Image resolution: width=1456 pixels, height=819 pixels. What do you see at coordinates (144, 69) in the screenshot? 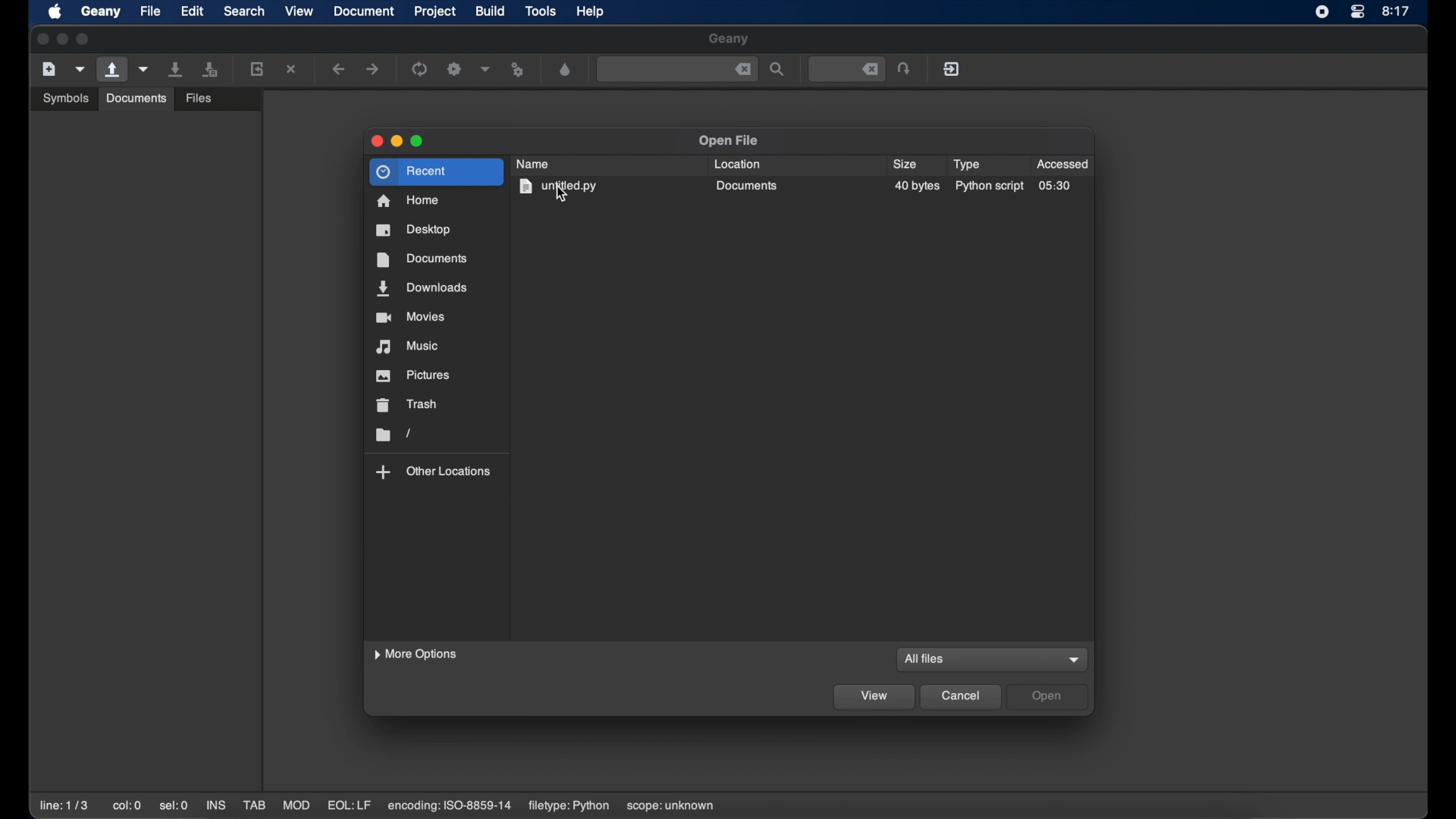
I see `open a recent file` at bounding box center [144, 69].